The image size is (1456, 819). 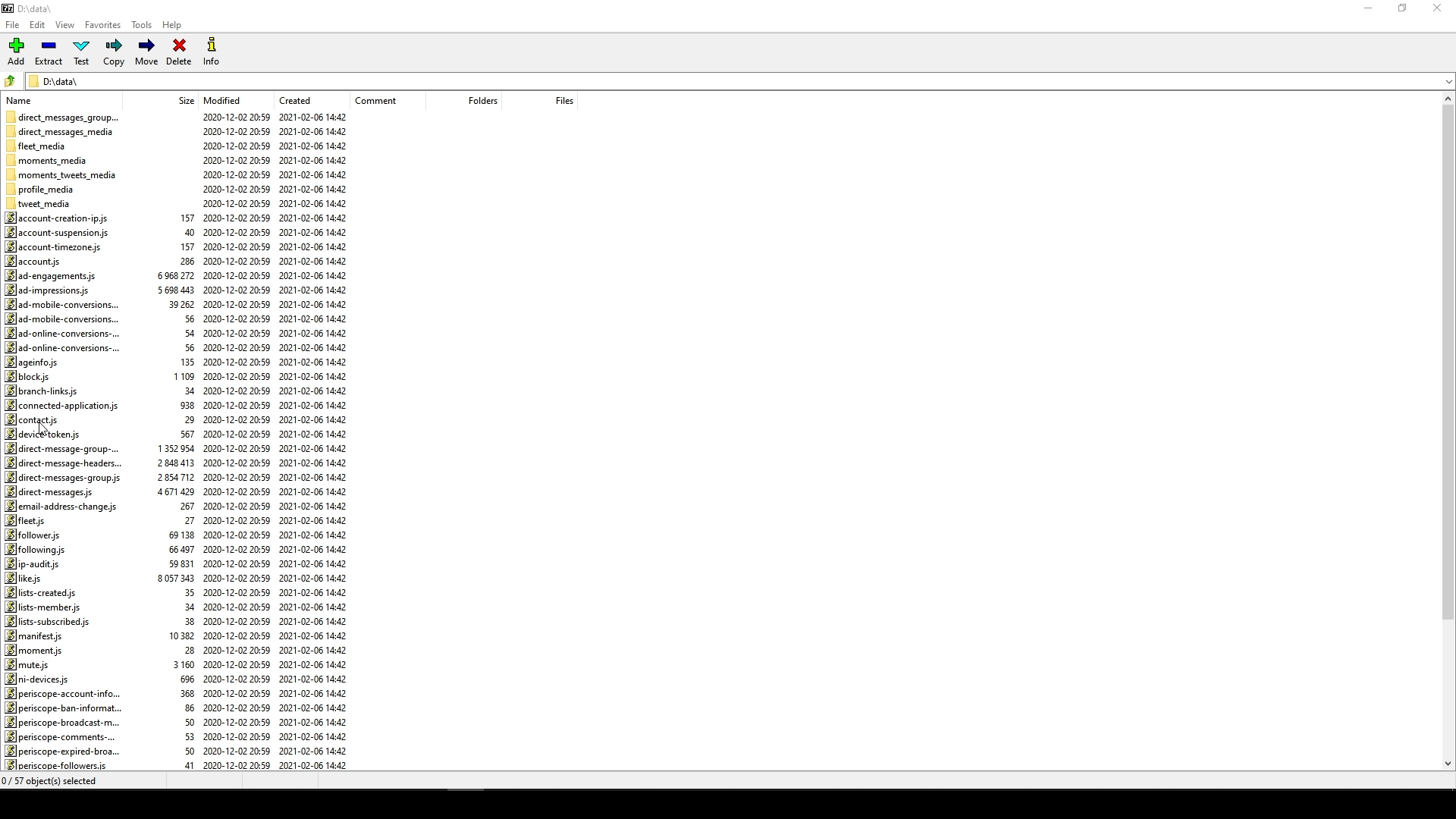 What do you see at coordinates (83, 52) in the screenshot?
I see `Test` at bounding box center [83, 52].